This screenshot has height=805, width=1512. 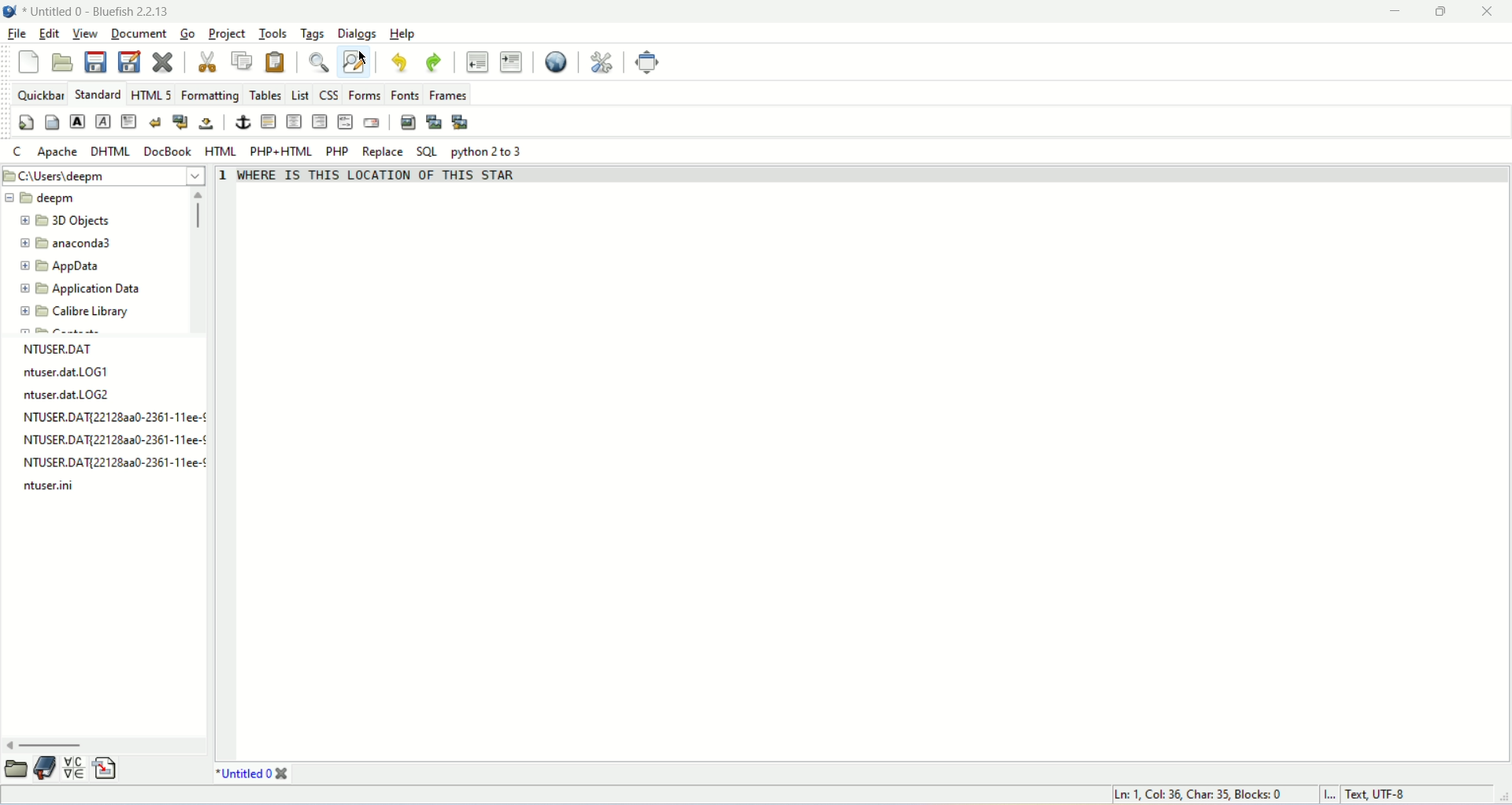 I want to click on bookmakrs, so click(x=46, y=768).